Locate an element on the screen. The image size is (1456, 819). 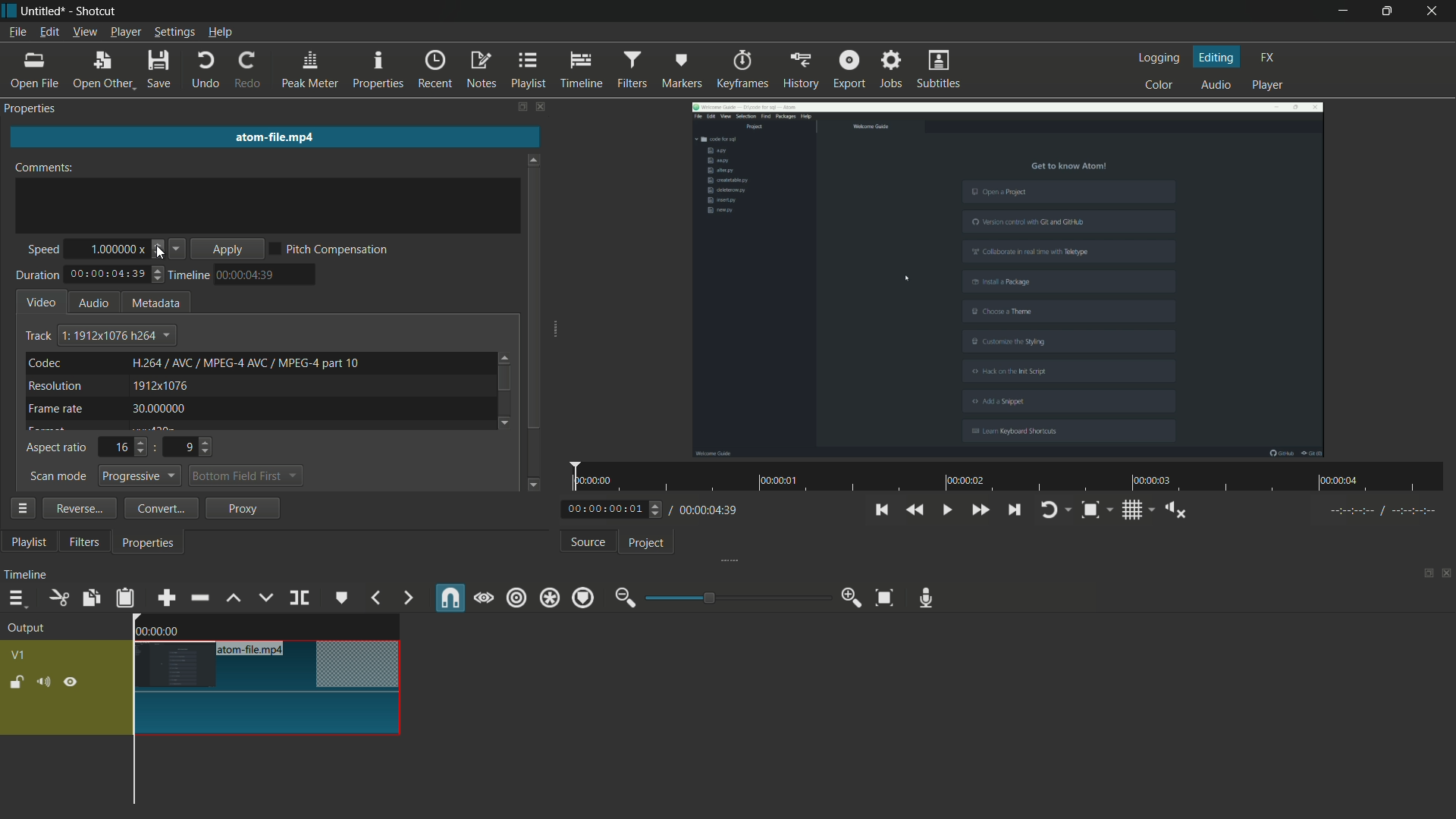
playlist is located at coordinates (529, 70).